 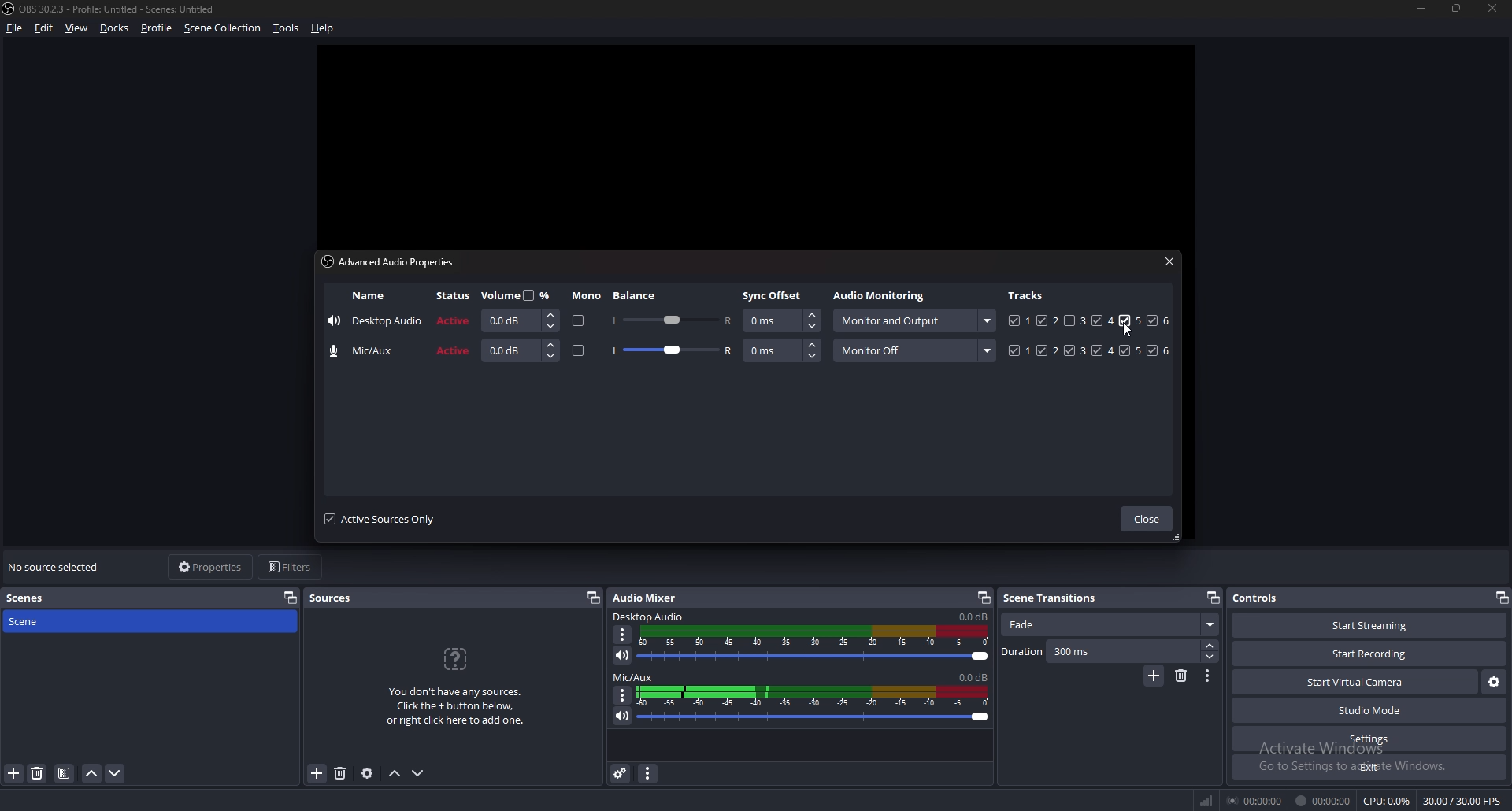 What do you see at coordinates (882, 297) in the screenshot?
I see `audio monitoring` at bounding box center [882, 297].